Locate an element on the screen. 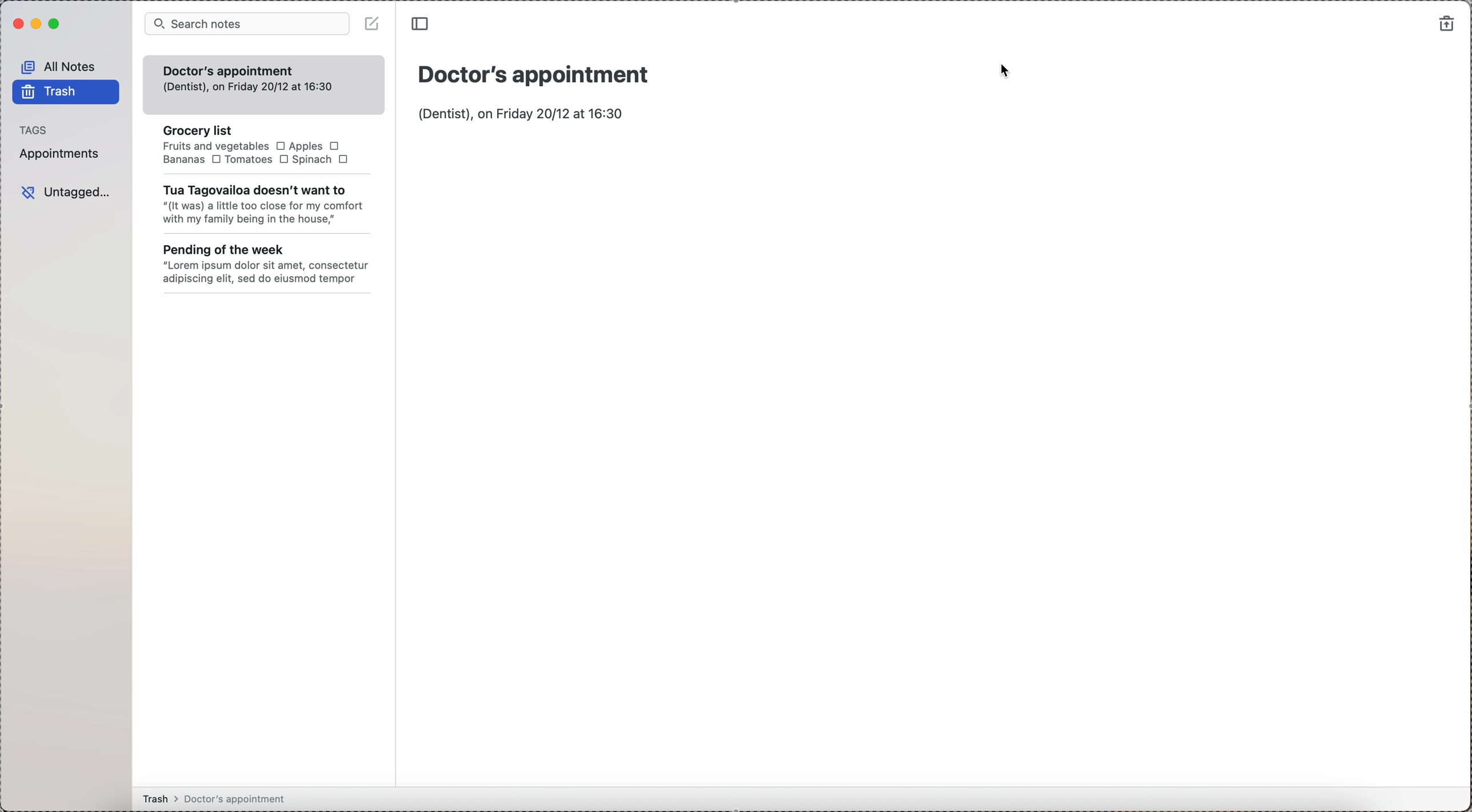  appointments is located at coordinates (63, 154).